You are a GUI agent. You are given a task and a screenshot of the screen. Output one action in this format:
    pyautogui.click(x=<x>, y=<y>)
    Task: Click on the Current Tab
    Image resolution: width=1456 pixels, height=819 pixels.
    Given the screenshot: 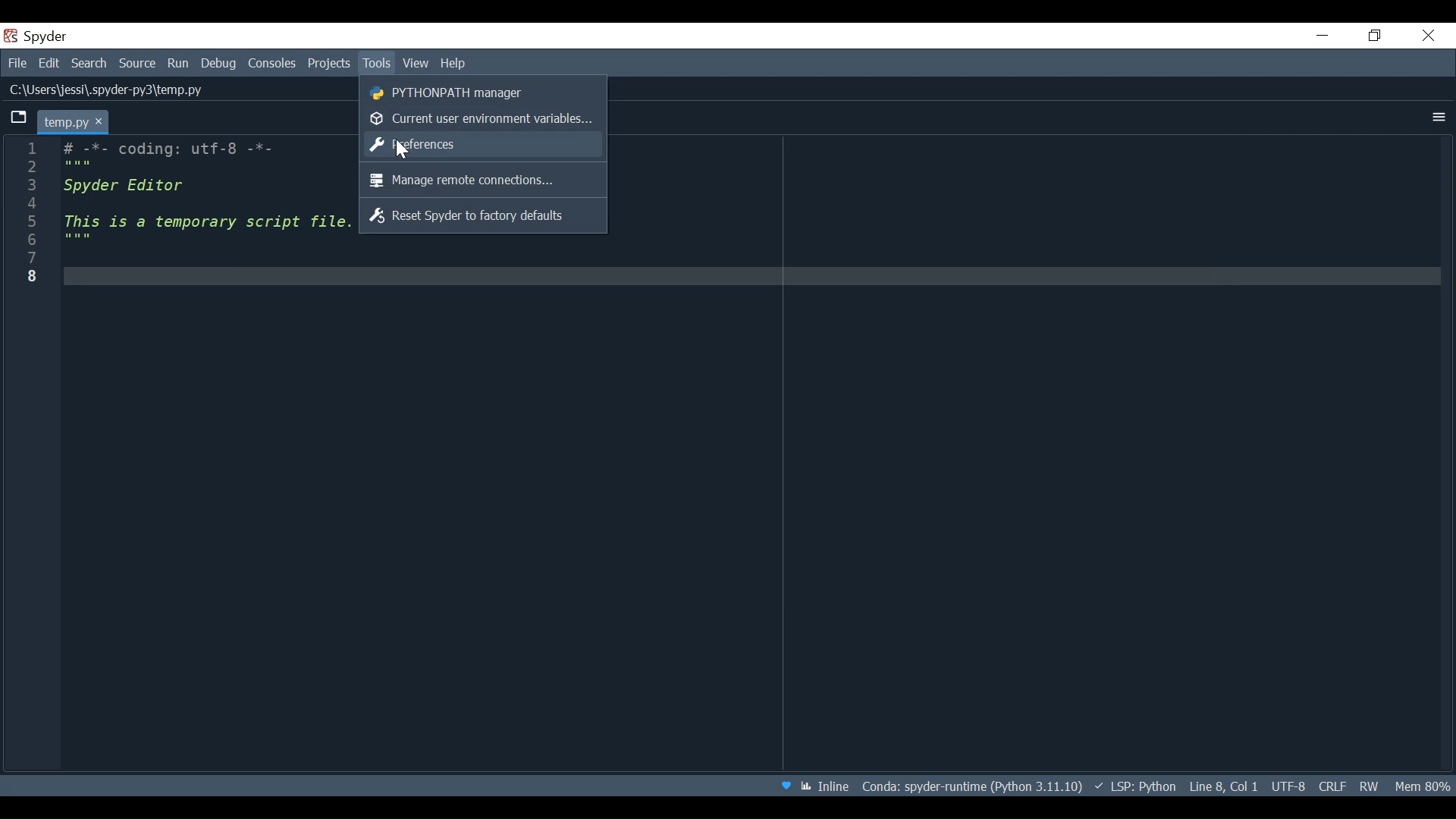 What is the action you would take?
    pyautogui.click(x=74, y=121)
    